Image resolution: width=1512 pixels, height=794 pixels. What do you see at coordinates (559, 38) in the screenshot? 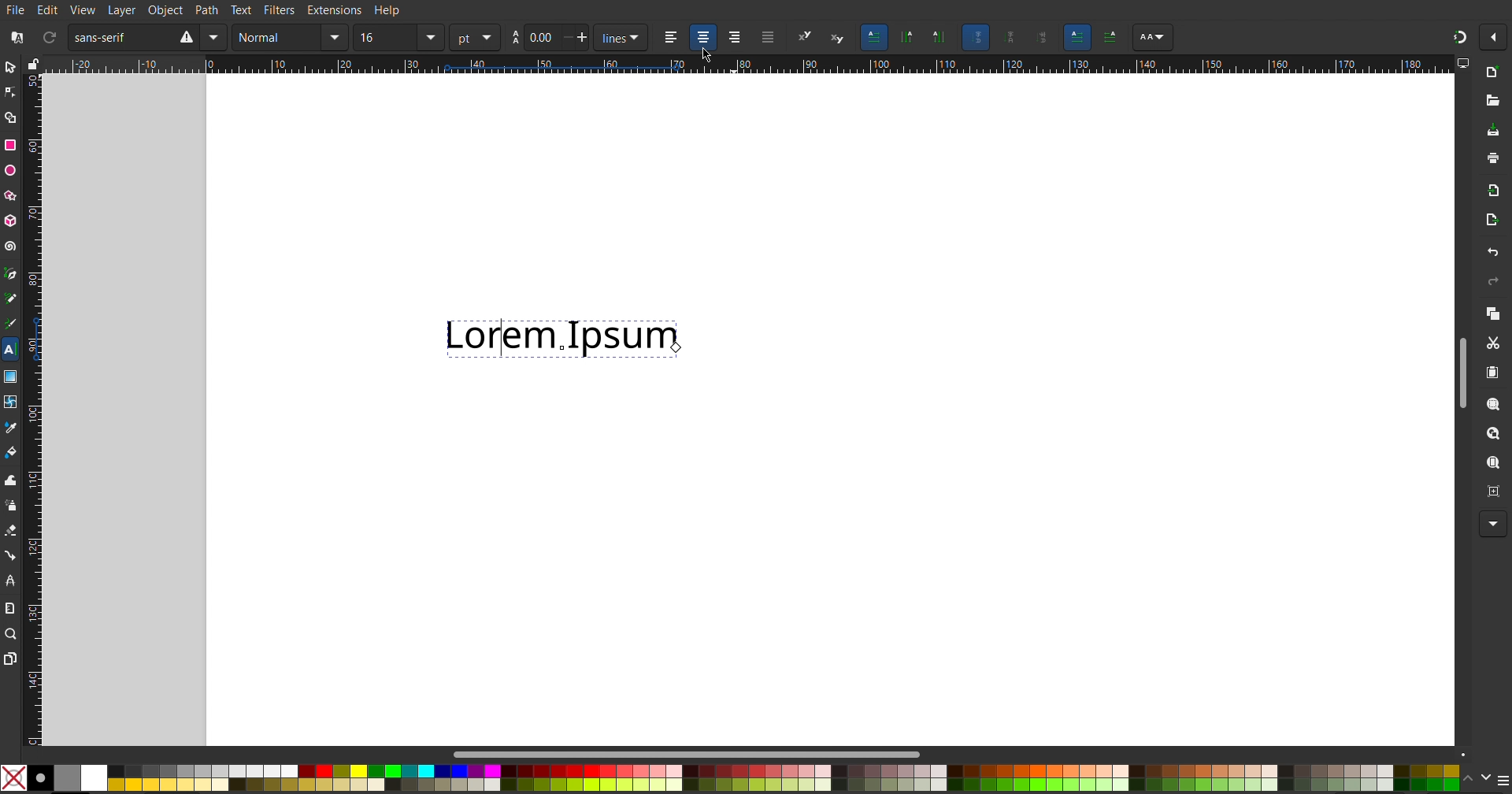
I see `Size` at bounding box center [559, 38].